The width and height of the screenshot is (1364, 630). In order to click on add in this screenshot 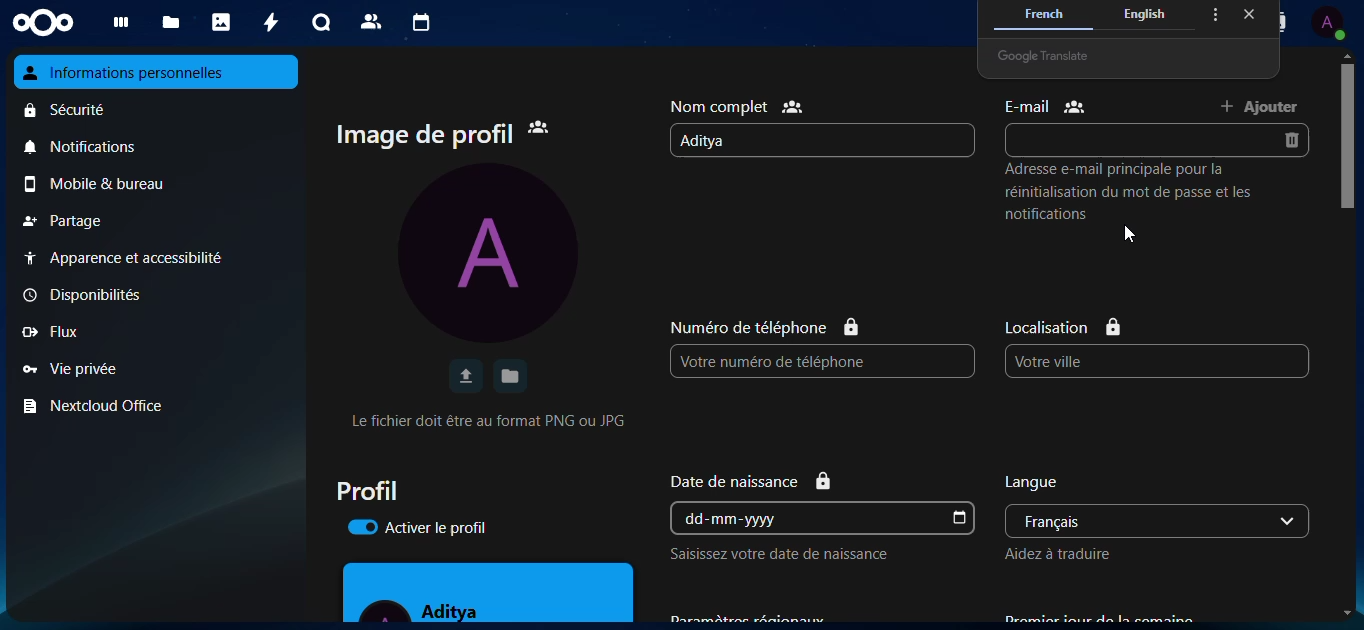, I will do `click(1264, 106)`.